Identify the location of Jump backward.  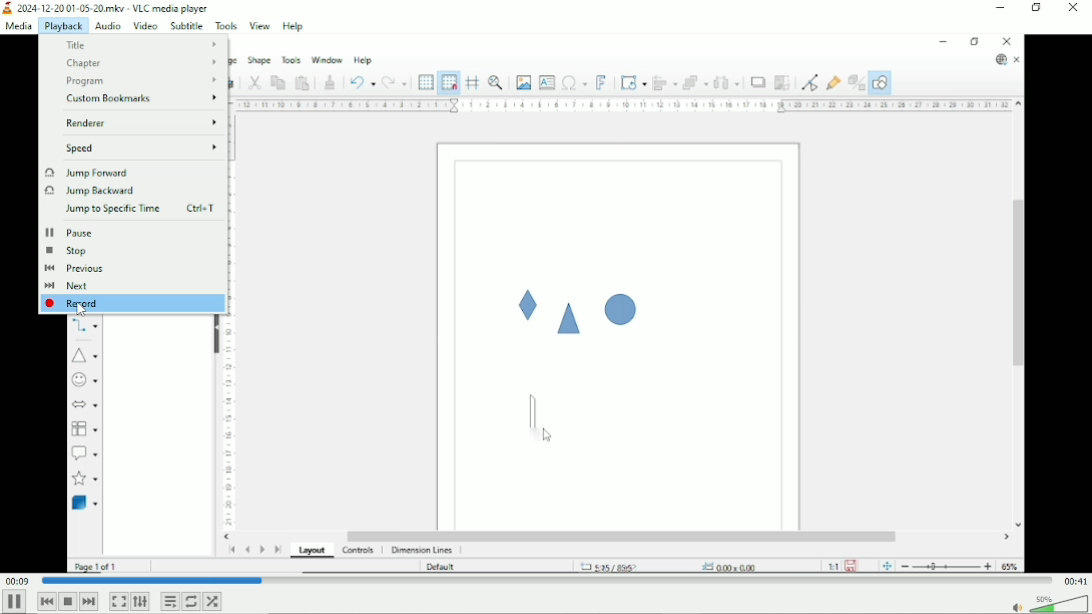
(90, 192).